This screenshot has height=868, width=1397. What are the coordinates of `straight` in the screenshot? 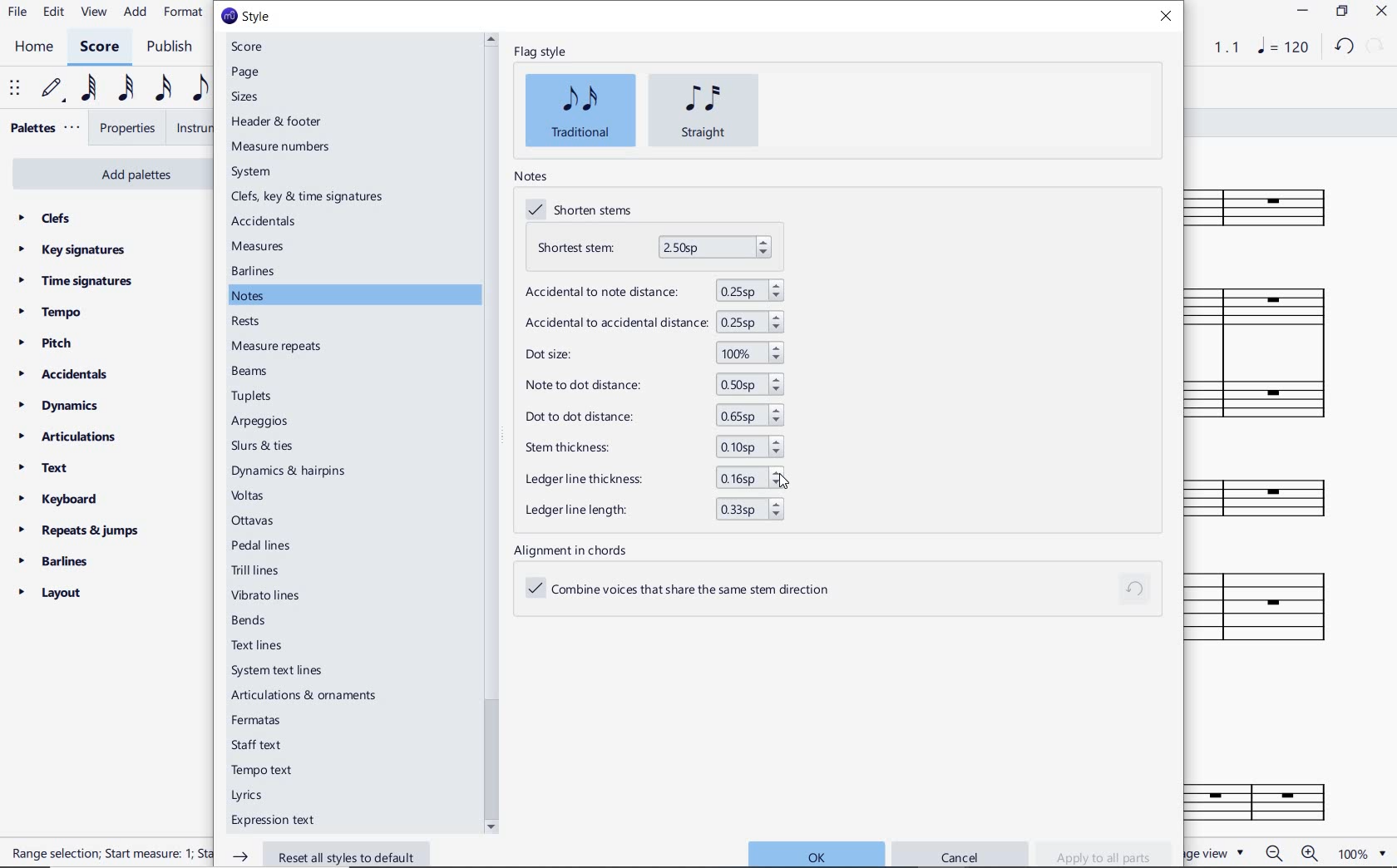 It's located at (704, 111).